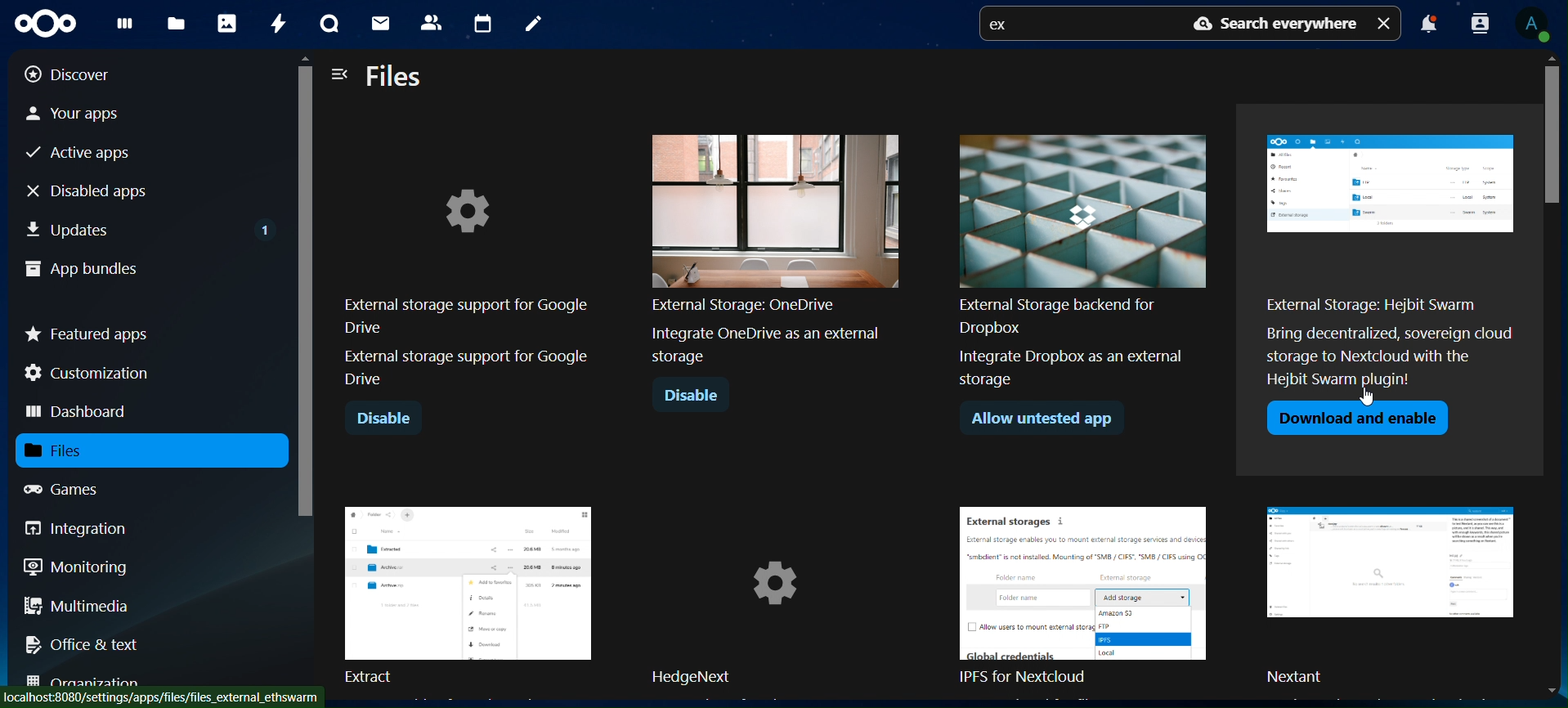 The height and width of the screenshot is (708, 1568). I want to click on search everywhere, so click(1270, 25).